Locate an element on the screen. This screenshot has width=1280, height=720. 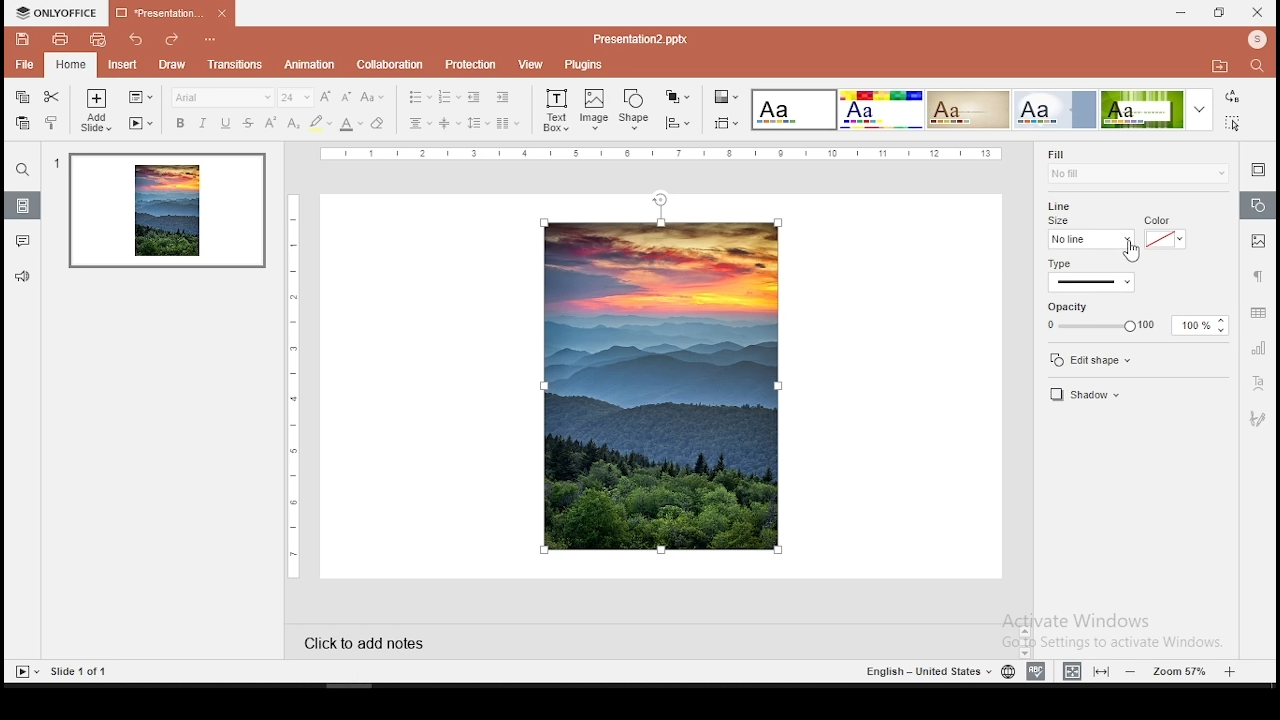
click to add notes is located at coordinates (371, 643).